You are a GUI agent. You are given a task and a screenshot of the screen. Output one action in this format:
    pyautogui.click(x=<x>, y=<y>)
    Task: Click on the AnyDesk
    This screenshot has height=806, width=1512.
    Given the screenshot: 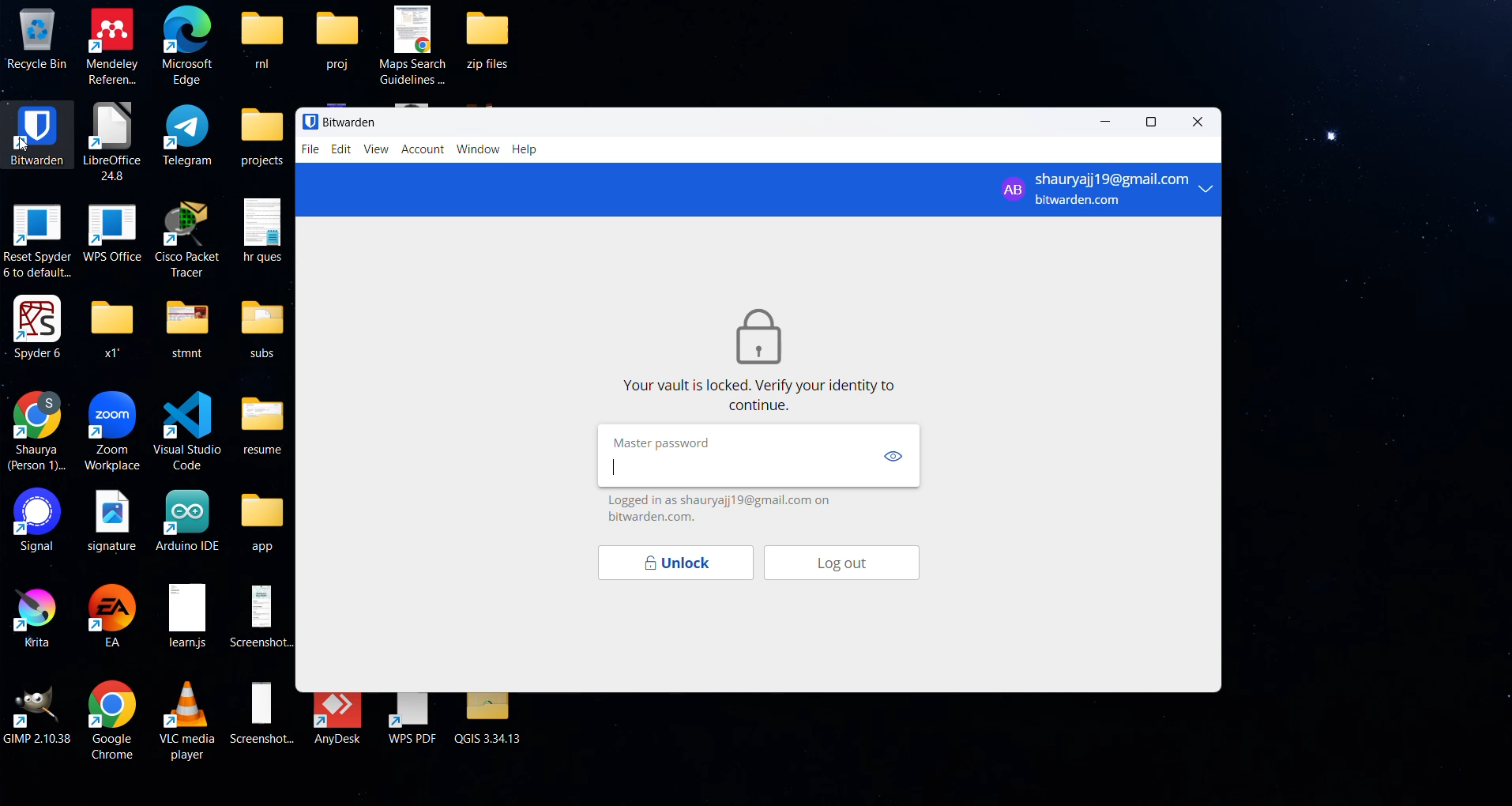 What is the action you would take?
    pyautogui.click(x=340, y=719)
    